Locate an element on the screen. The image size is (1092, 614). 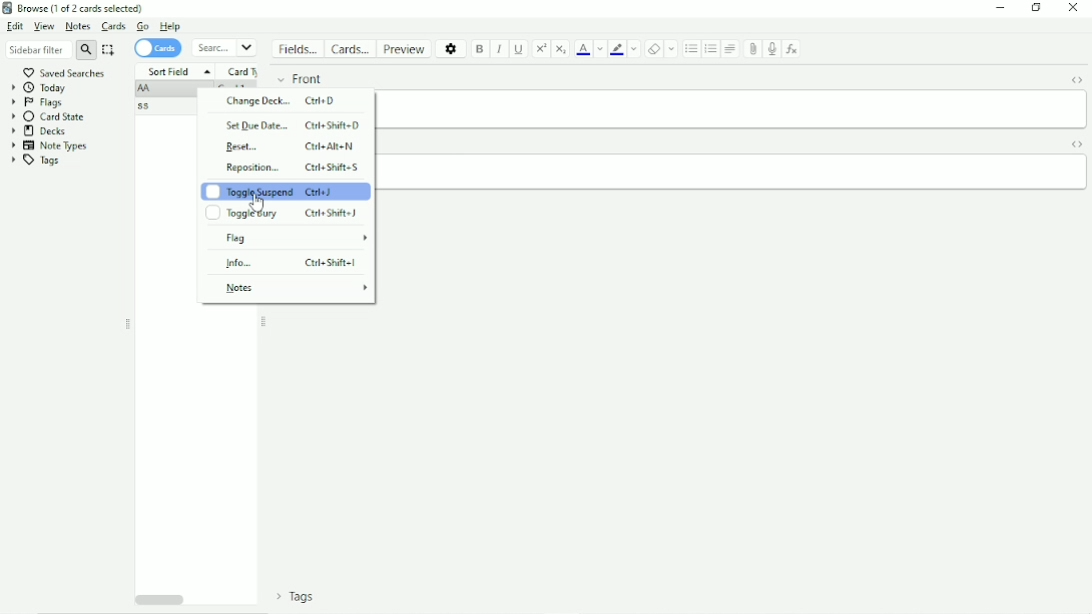
Subscript is located at coordinates (562, 49).